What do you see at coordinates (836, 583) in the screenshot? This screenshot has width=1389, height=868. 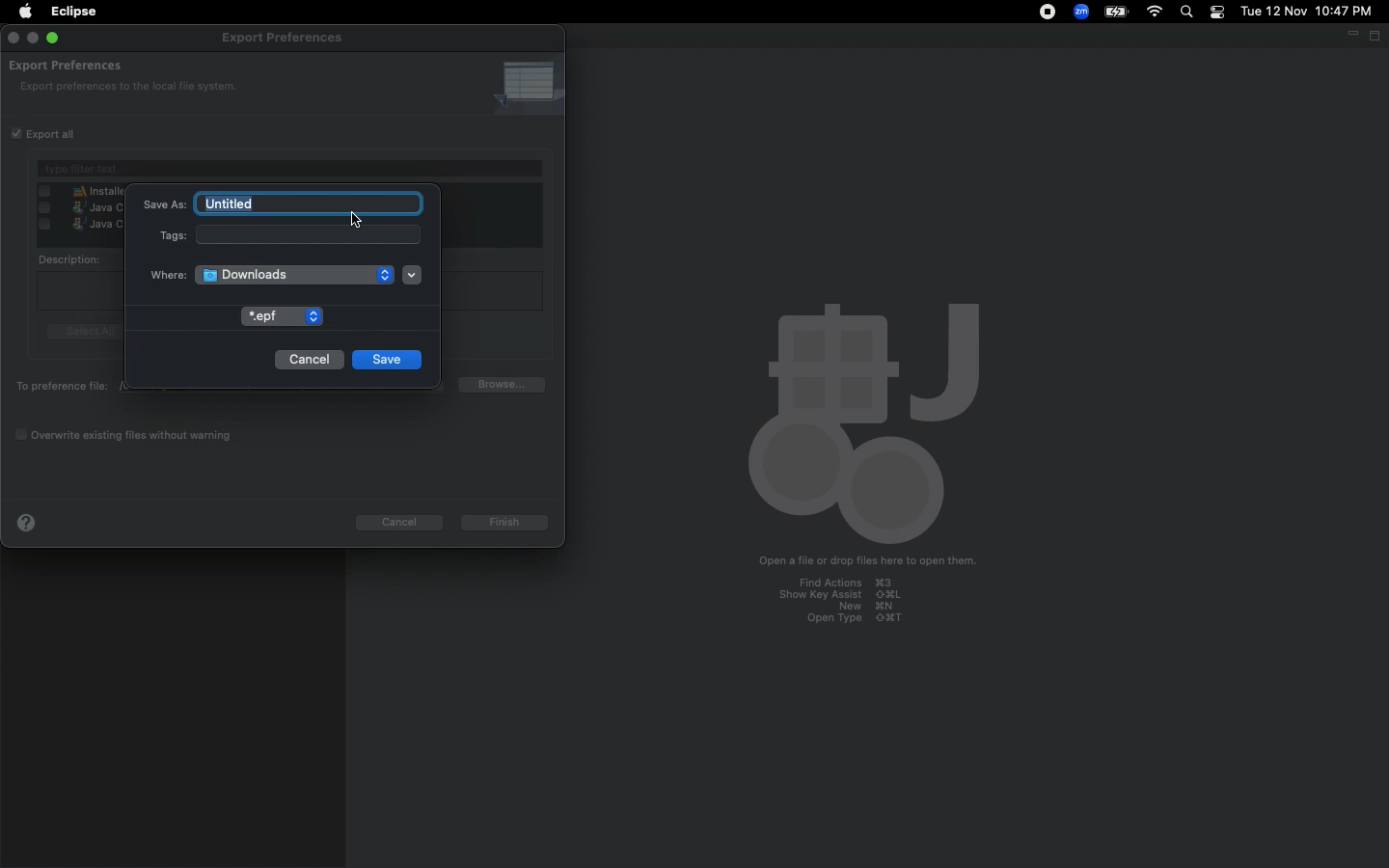 I see `find actions ` at bounding box center [836, 583].